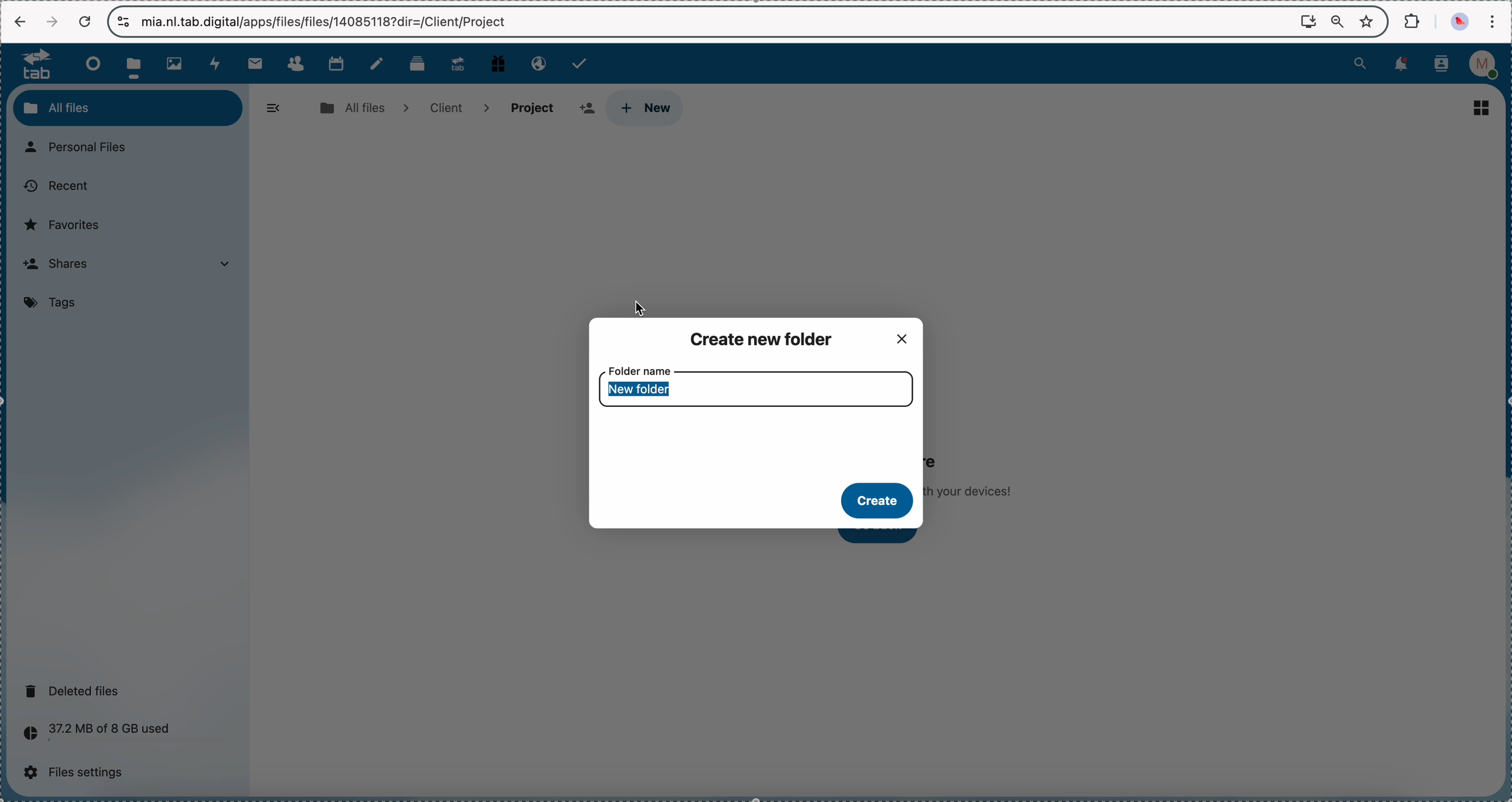 This screenshot has height=802, width=1512. Describe the element at coordinates (295, 64) in the screenshot. I see `contacts` at that location.